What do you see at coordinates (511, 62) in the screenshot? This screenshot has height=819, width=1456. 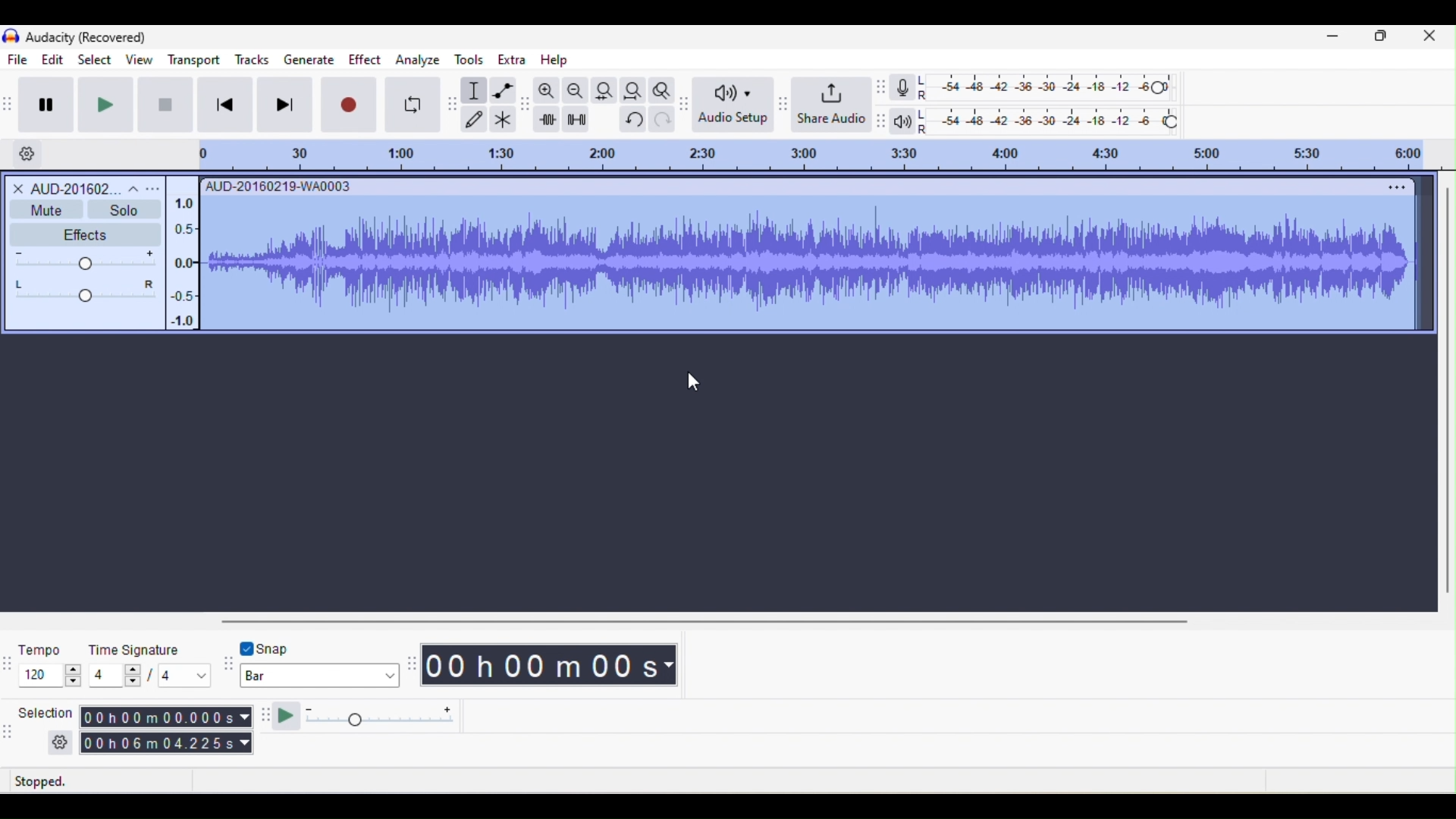 I see `extra` at bounding box center [511, 62].